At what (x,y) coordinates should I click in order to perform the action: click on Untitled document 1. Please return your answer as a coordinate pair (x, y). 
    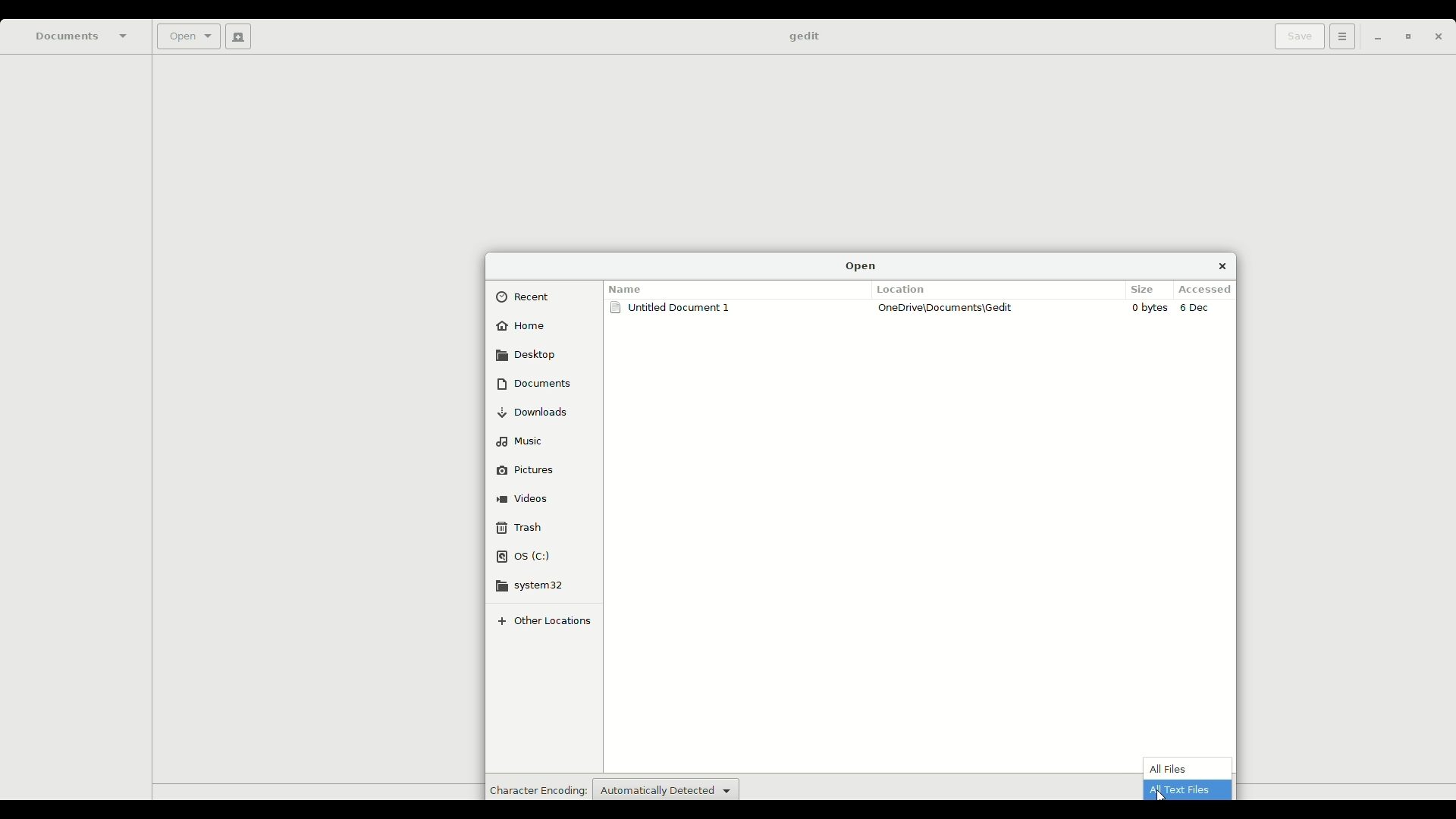
    Looking at the image, I should click on (673, 310).